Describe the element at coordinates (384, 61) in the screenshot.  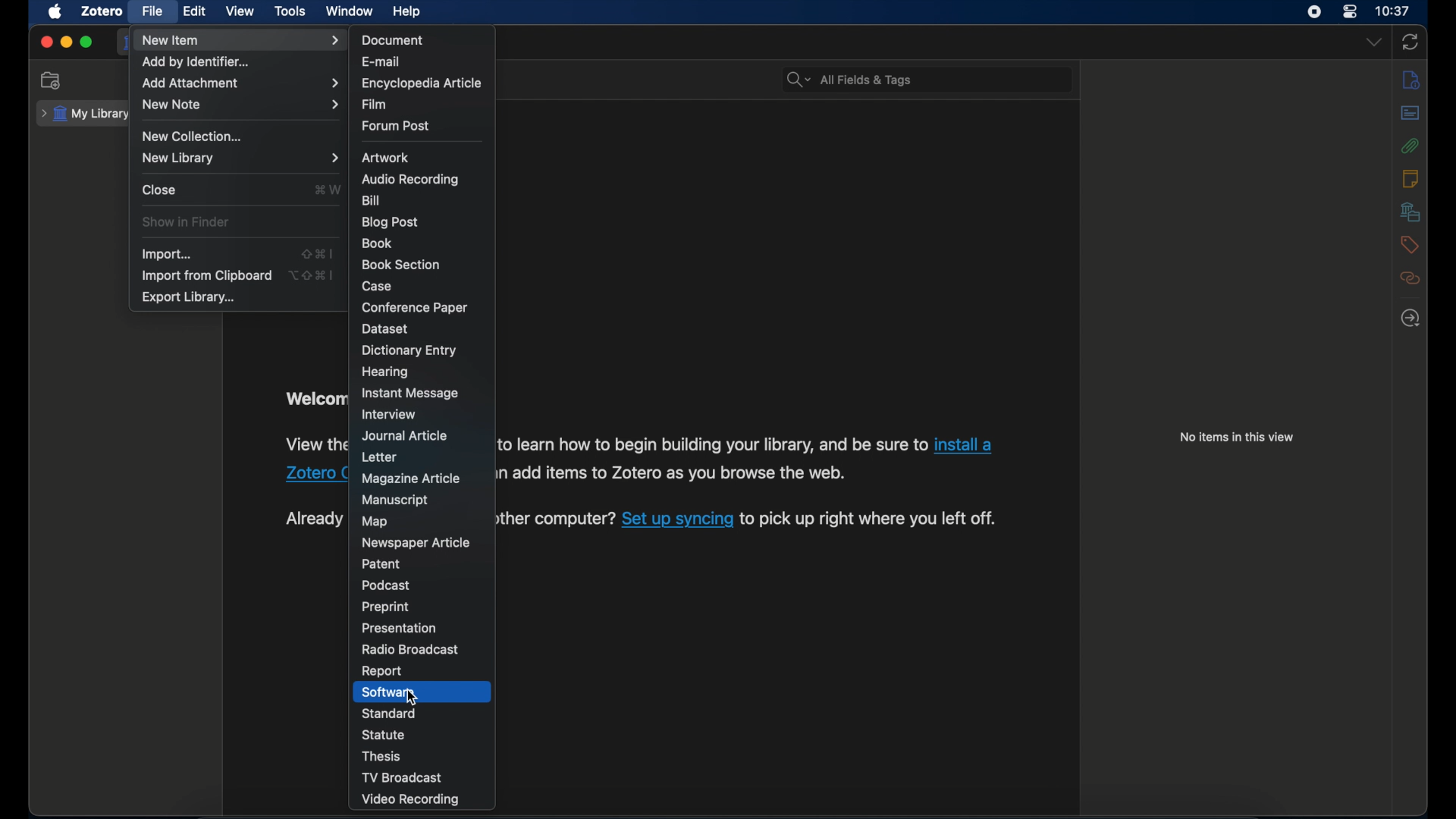
I see `e-mail` at that location.